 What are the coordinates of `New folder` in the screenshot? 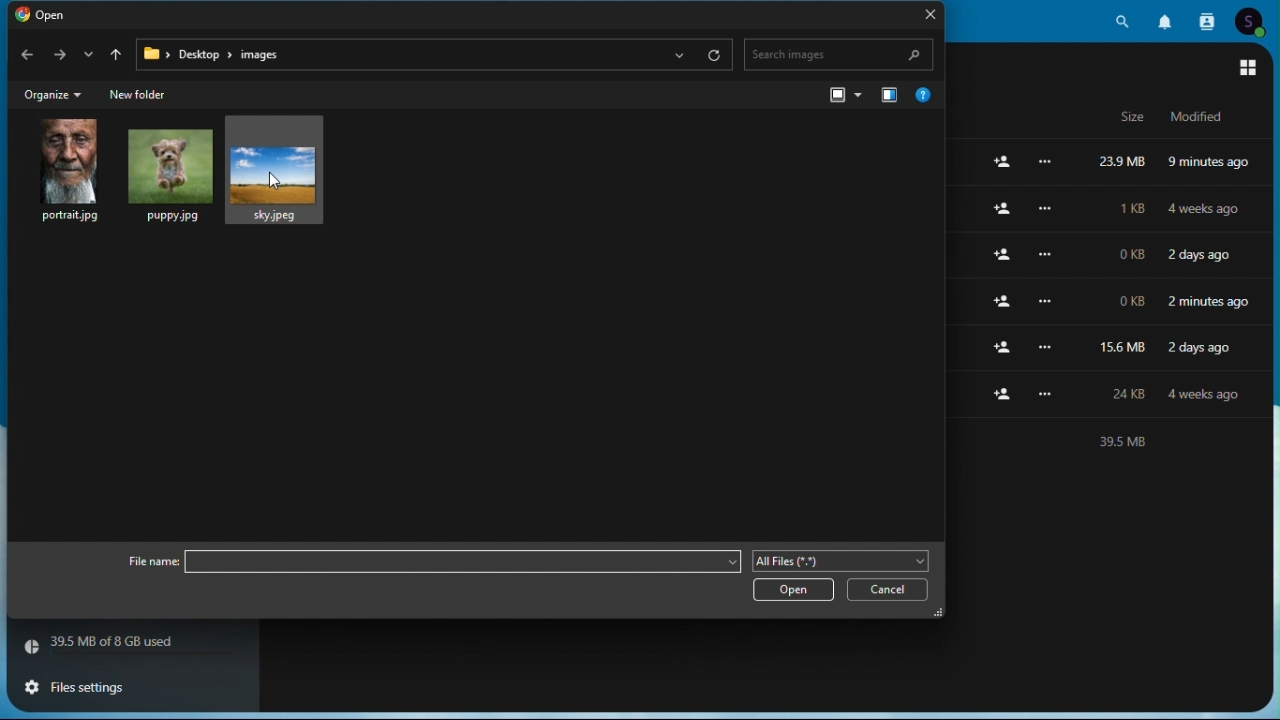 It's located at (145, 95).